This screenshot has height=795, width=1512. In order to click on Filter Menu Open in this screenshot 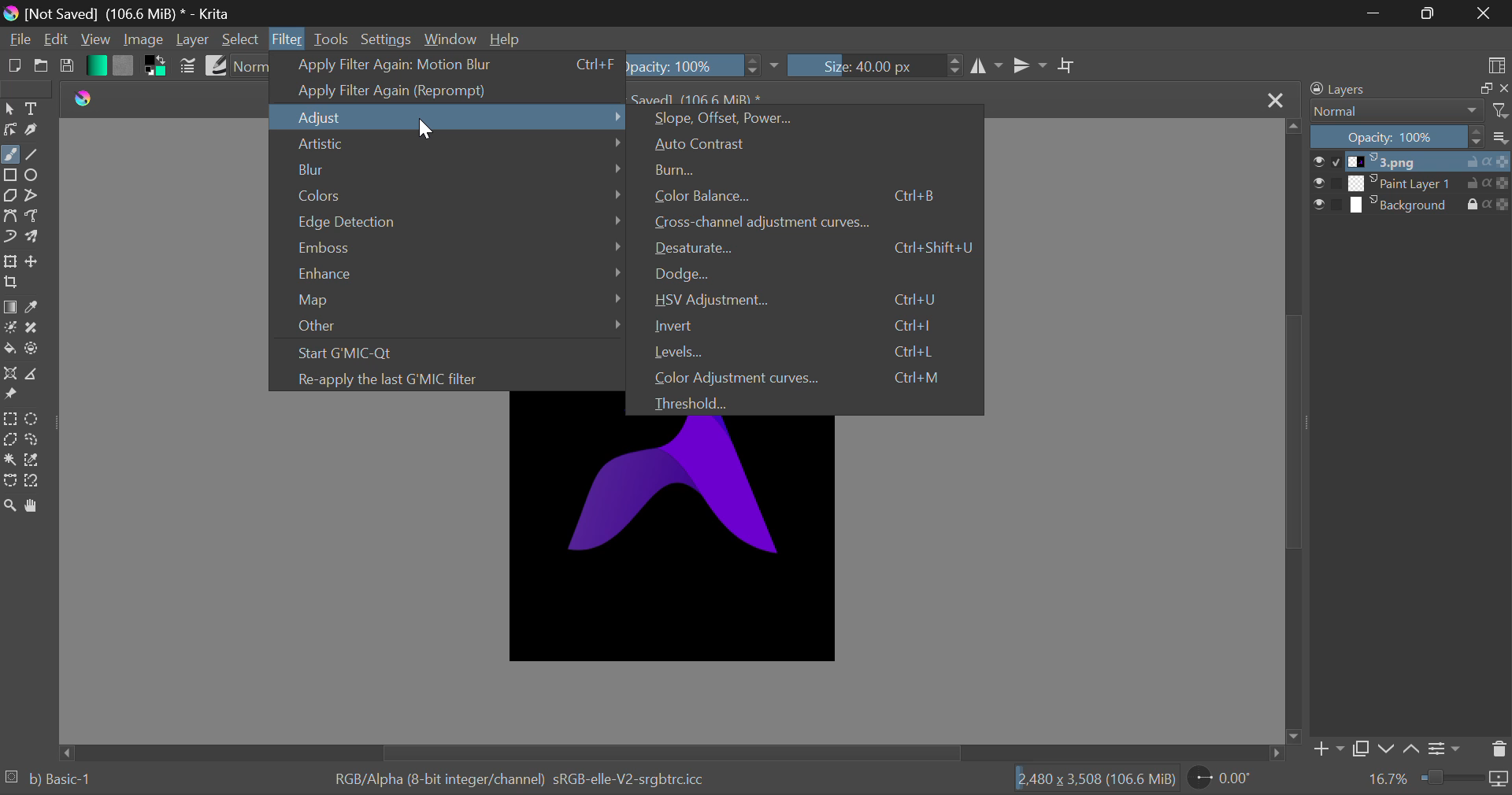, I will do `click(287, 38)`.